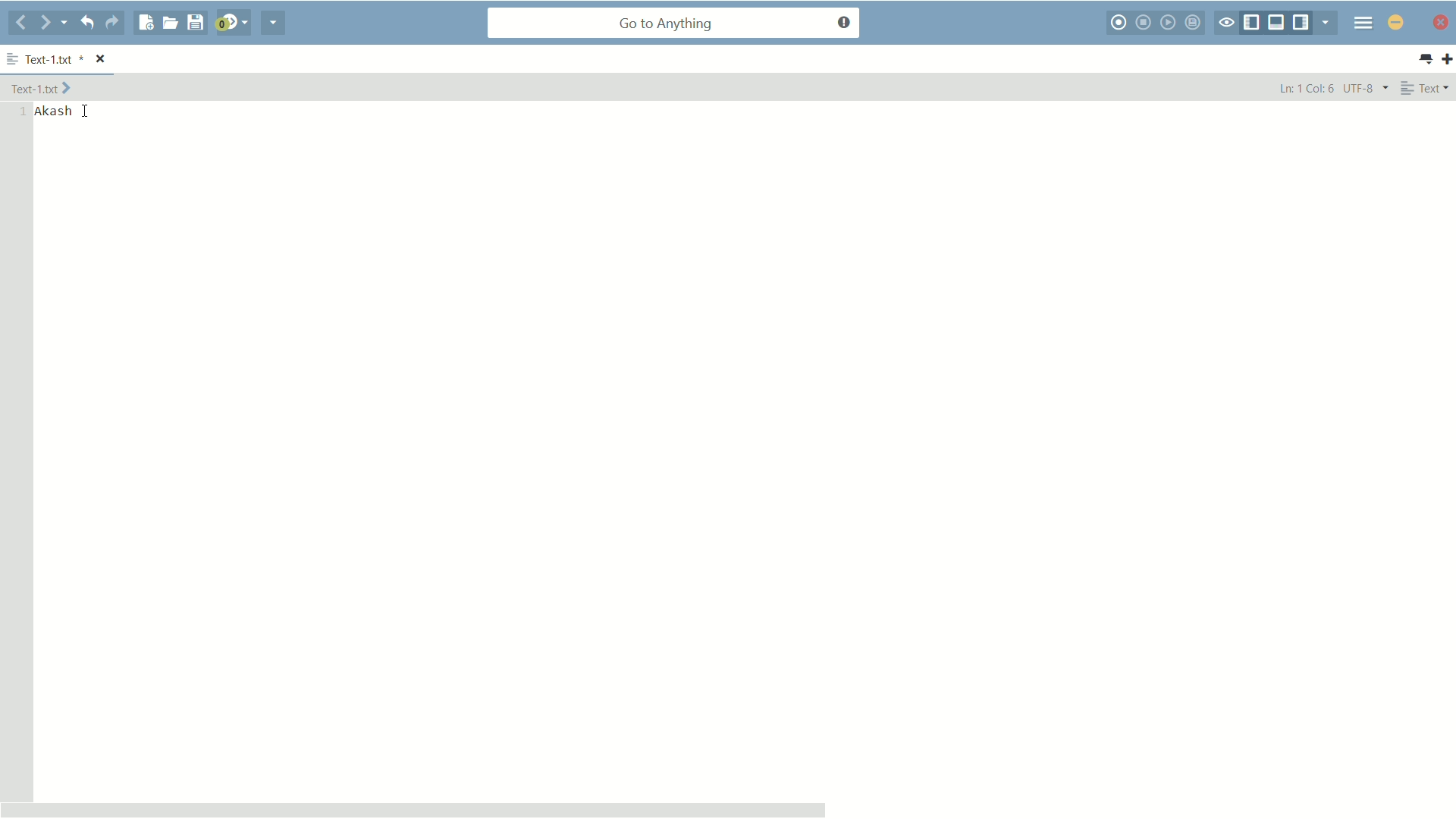 The width and height of the screenshot is (1456, 819). I want to click on new tab, so click(1447, 58).